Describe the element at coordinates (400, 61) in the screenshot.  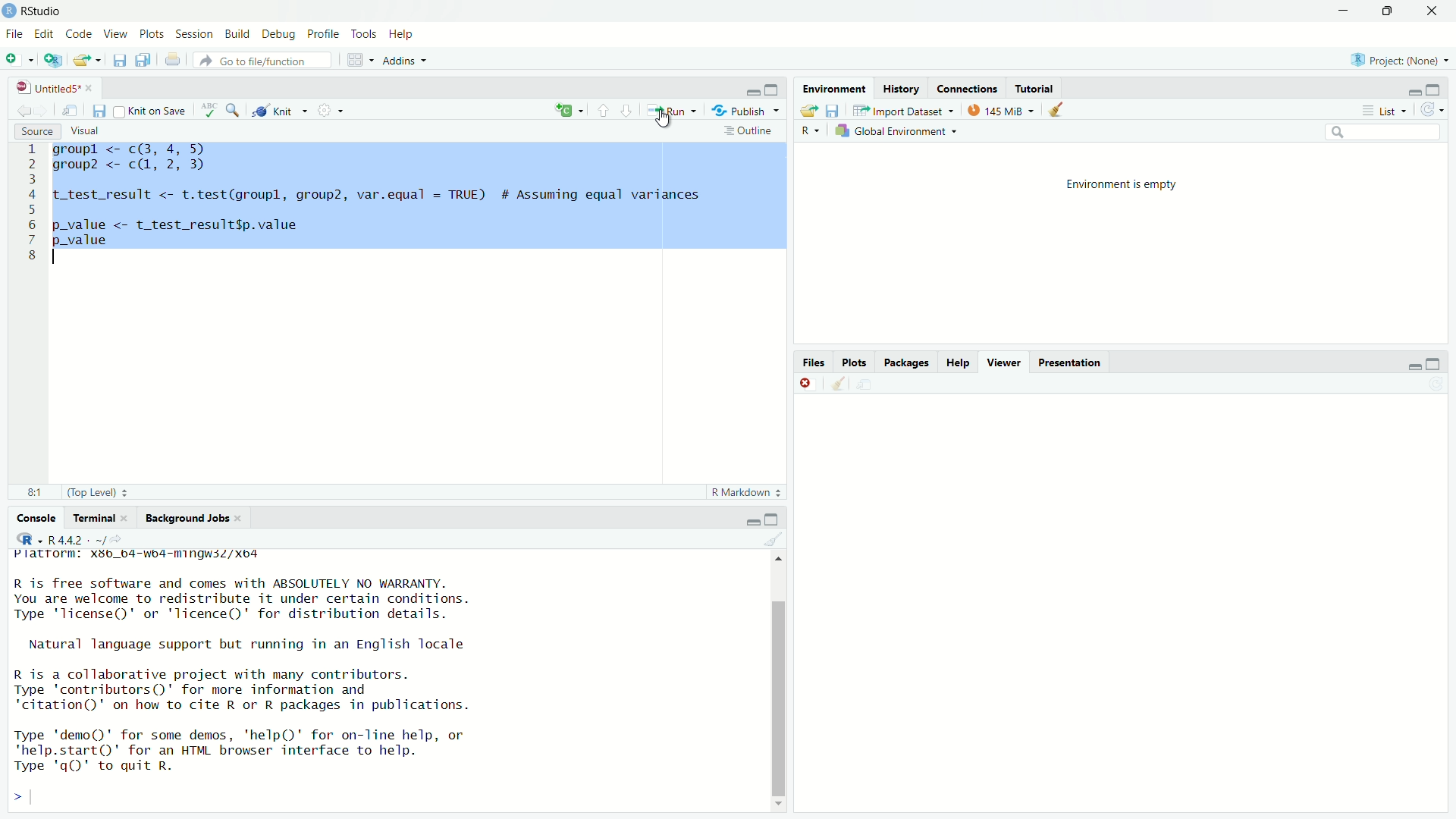
I see `Addins ` at that location.